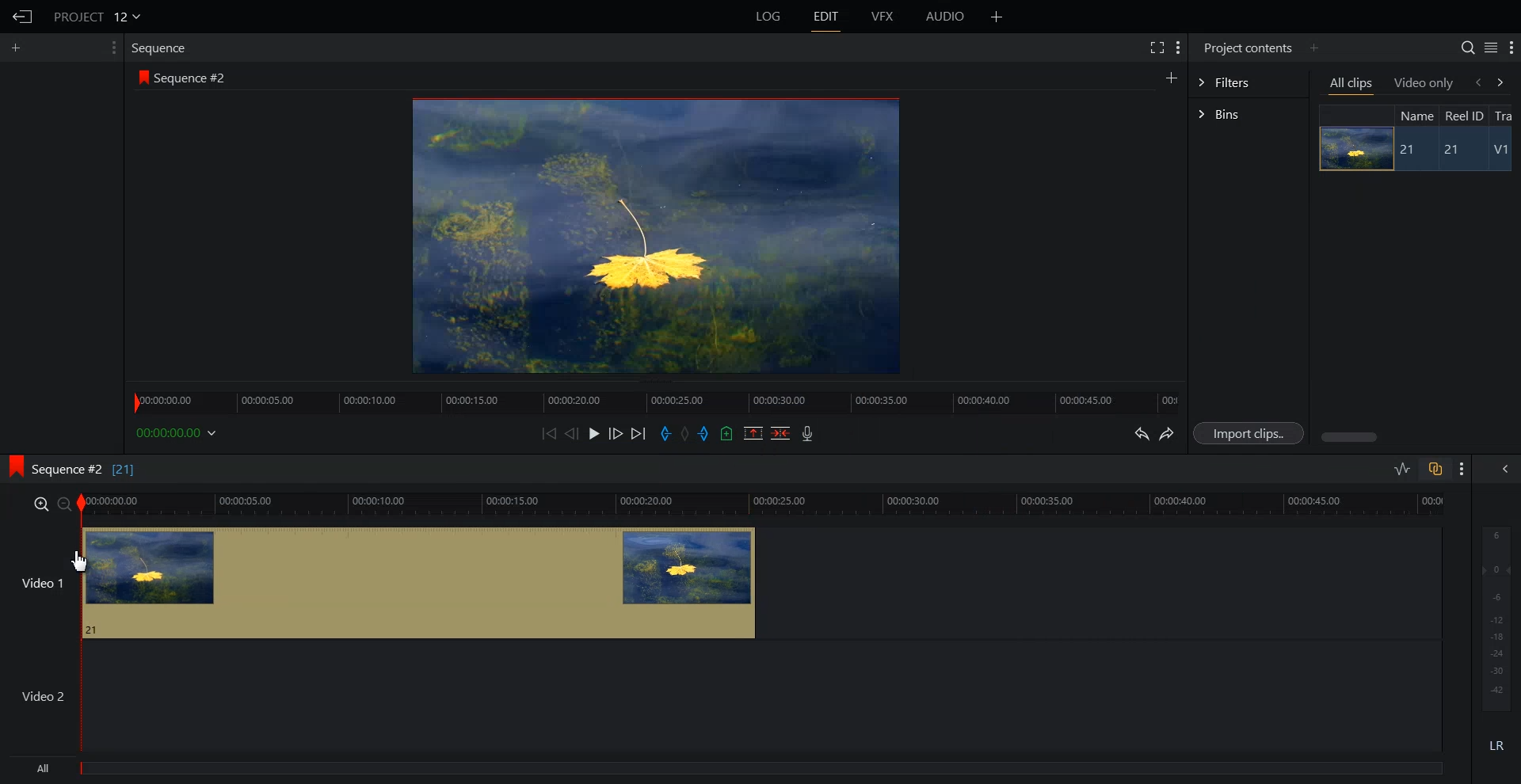 The height and width of the screenshot is (784, 1521). What do you see at coordinates (664, 434) in the screenshot?
I see `Add an in Mark in current position` at bounding box center [664, 434].